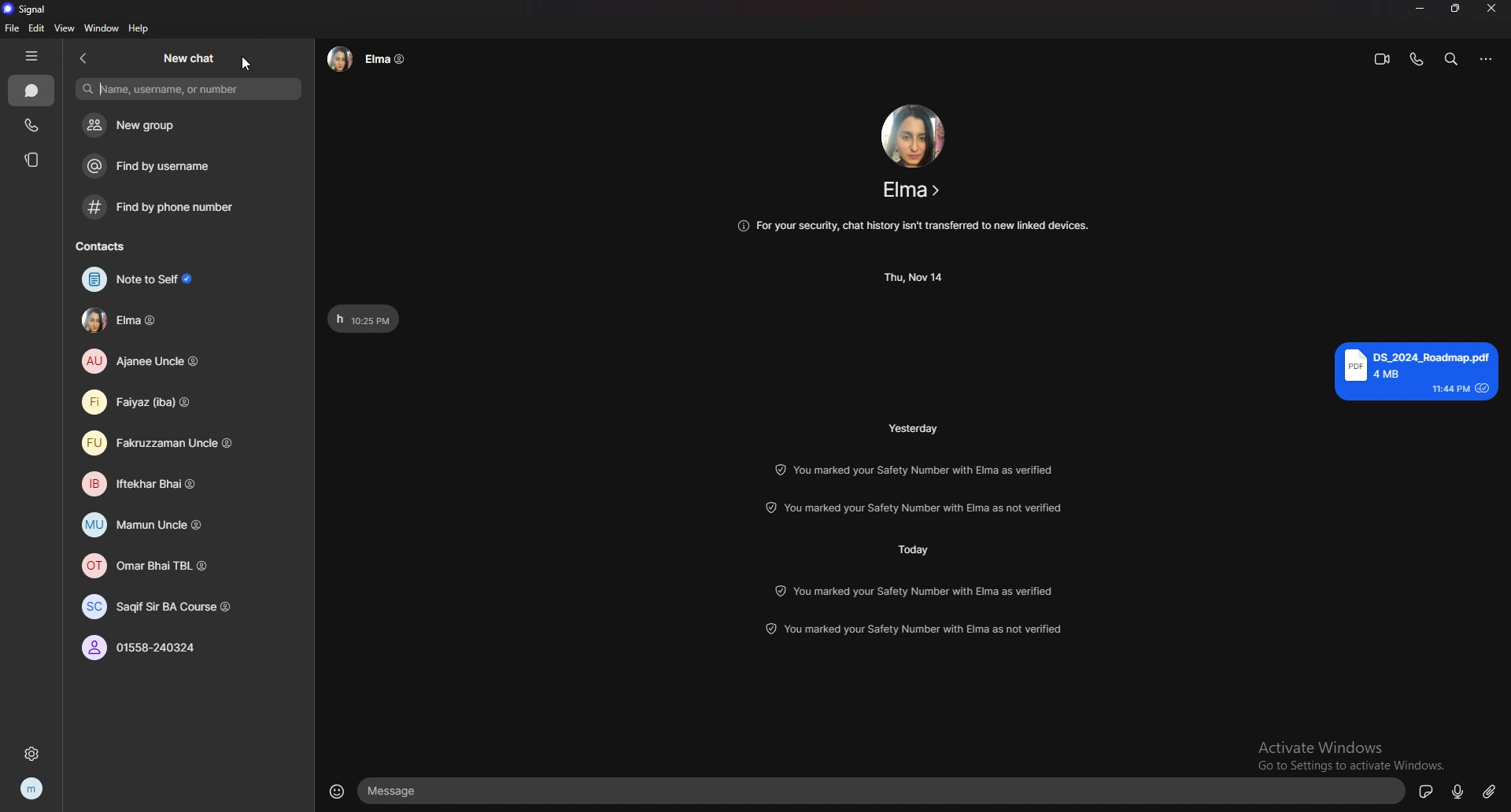  Describe the element at coordinates (1493, 8) in the screenshot. I see `close` at that location.